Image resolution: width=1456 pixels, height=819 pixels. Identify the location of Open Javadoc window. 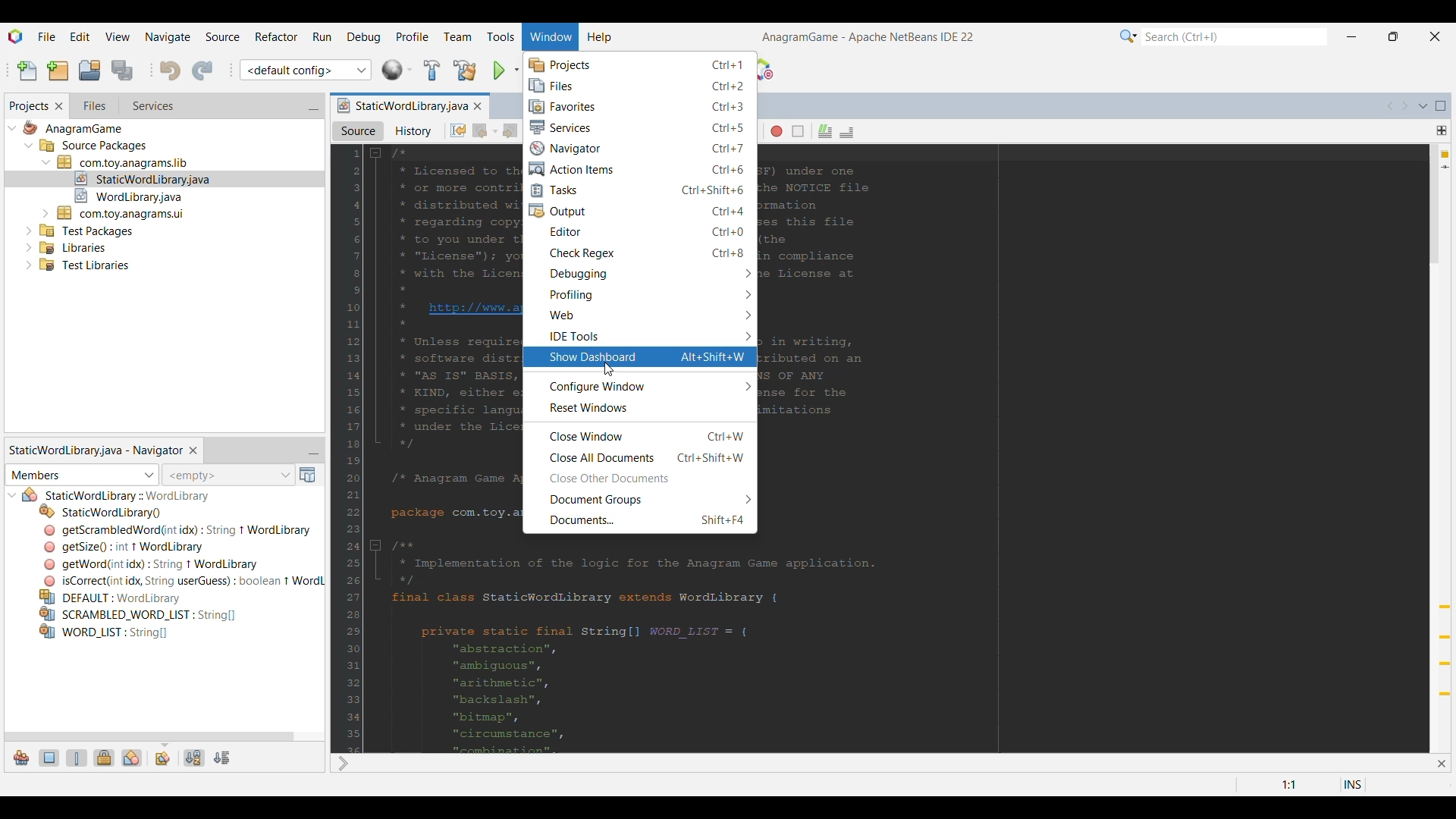
(308, 475).